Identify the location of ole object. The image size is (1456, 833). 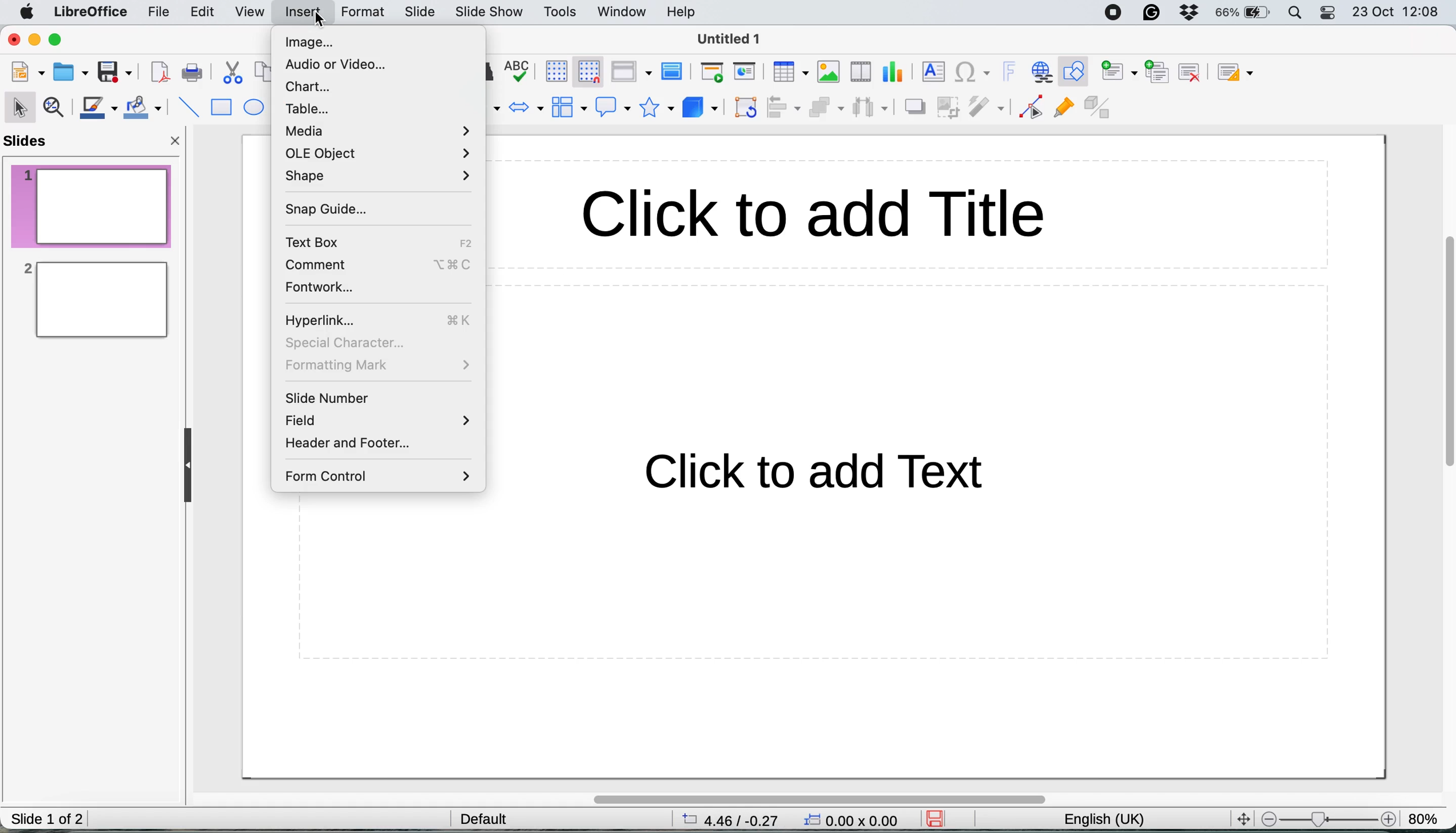
(381, 152).